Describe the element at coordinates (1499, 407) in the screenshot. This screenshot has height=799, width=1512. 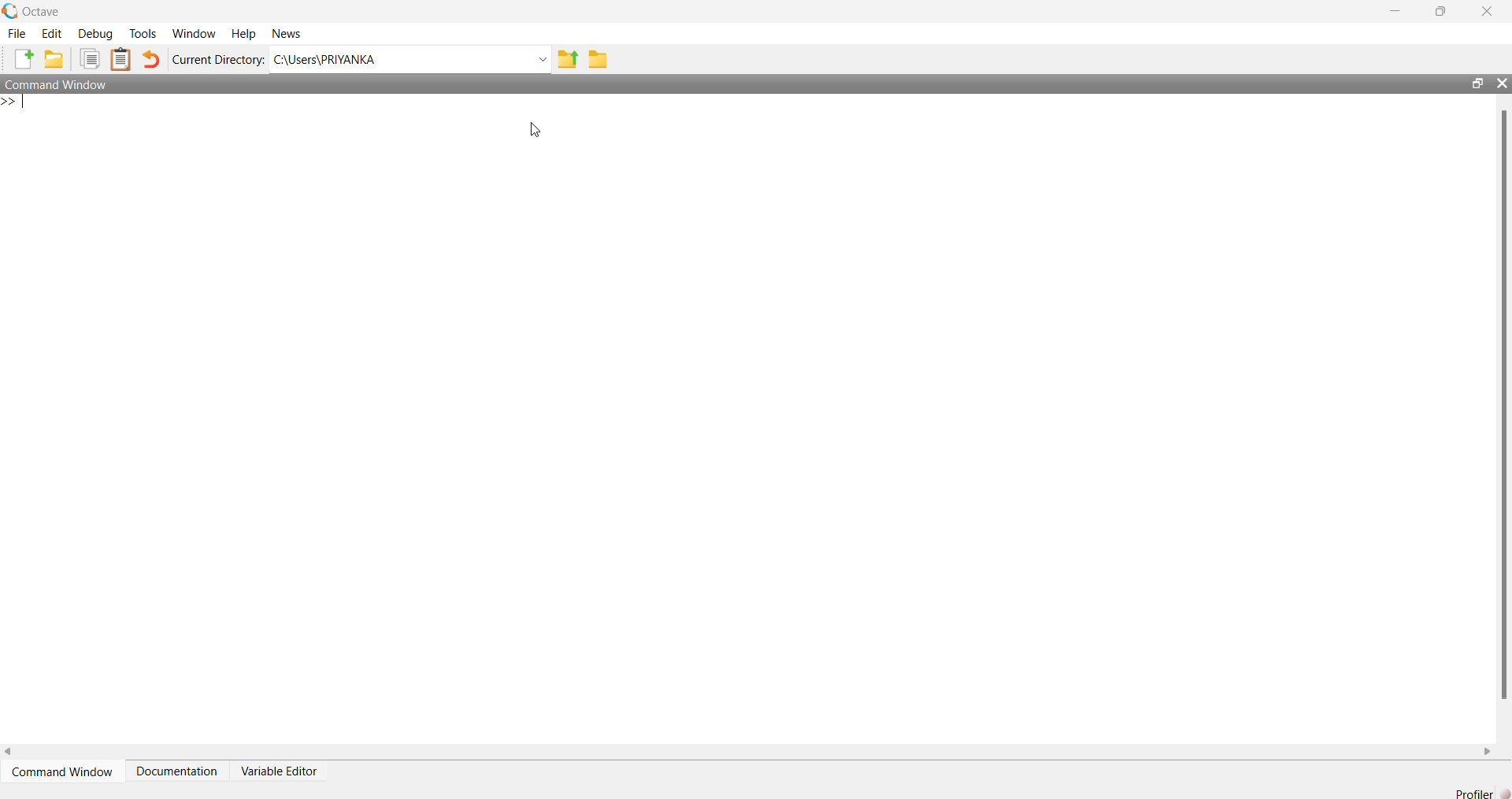
I see `scroll bar` at that location.